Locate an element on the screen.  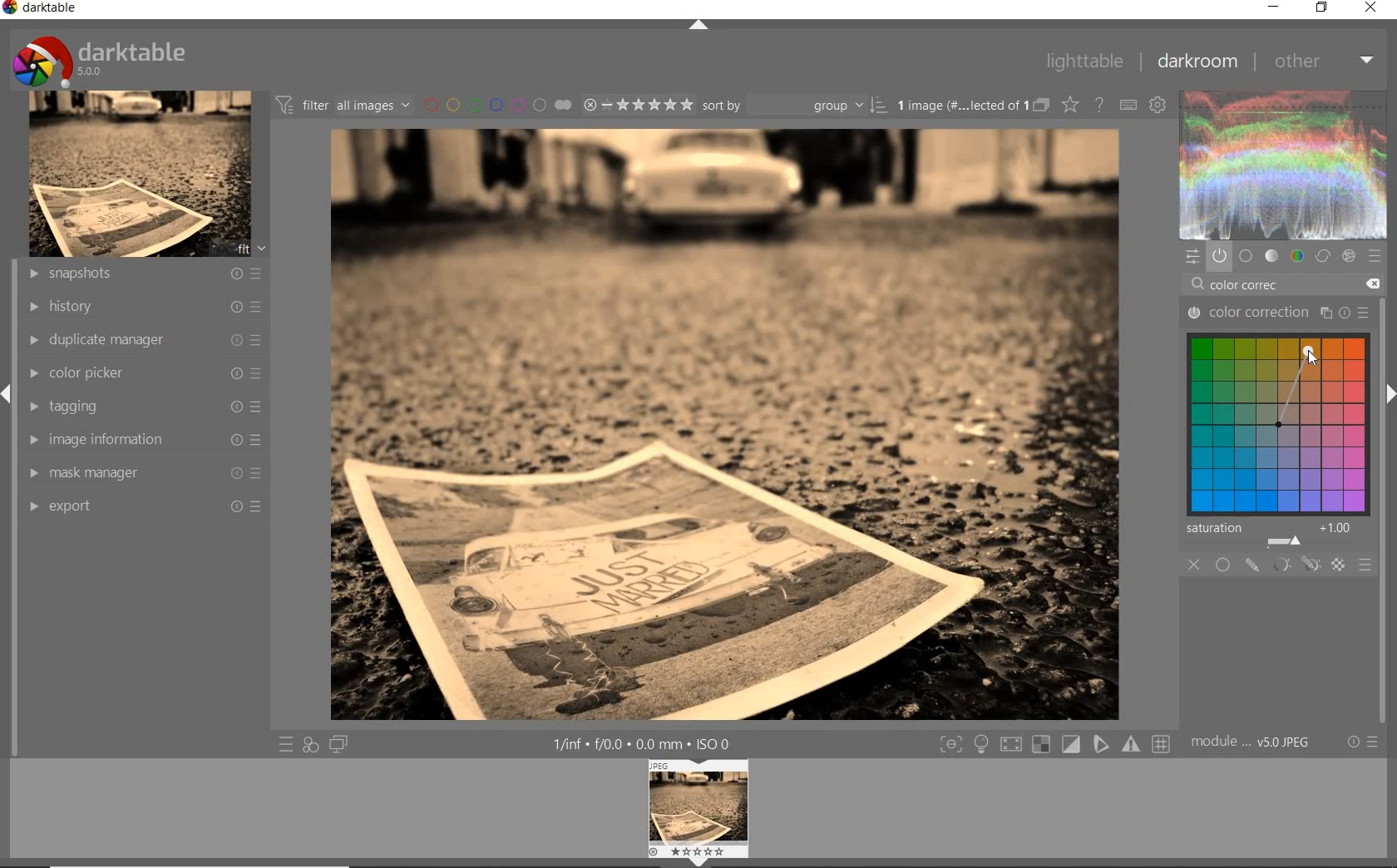
tone is located at coordinates (1271, 256).